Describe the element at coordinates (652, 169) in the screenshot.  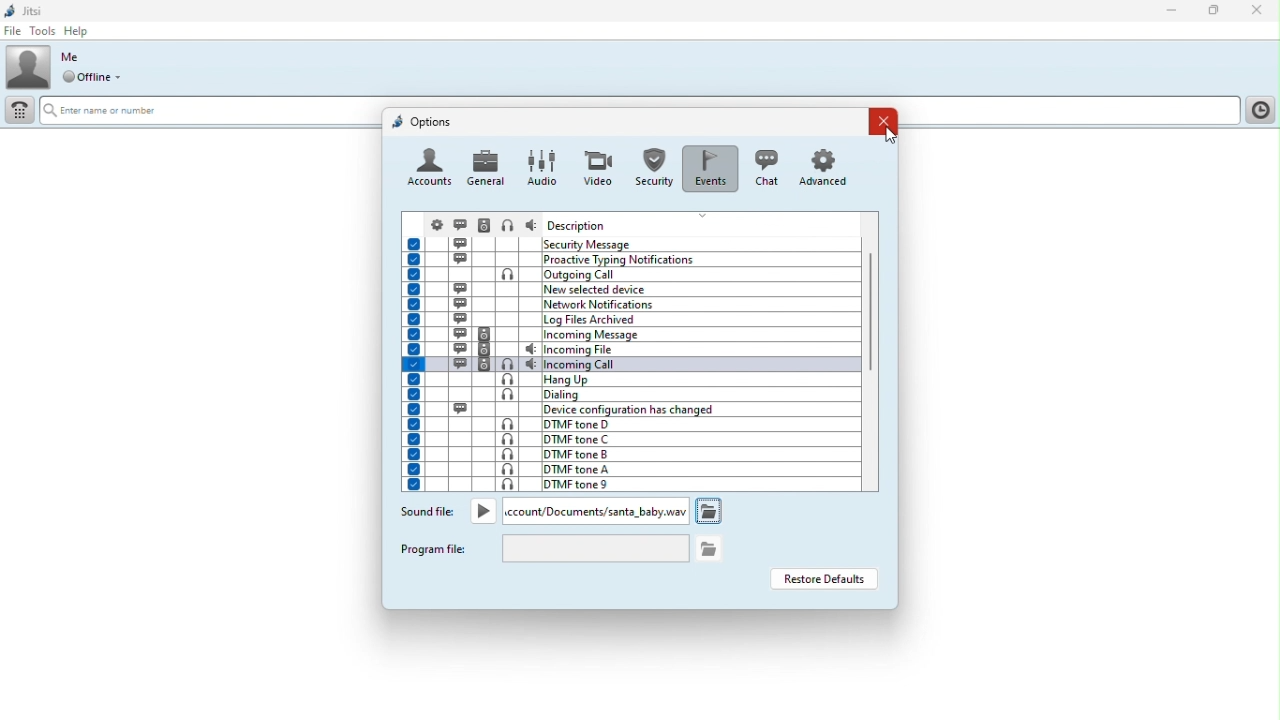
I see `` at that location.